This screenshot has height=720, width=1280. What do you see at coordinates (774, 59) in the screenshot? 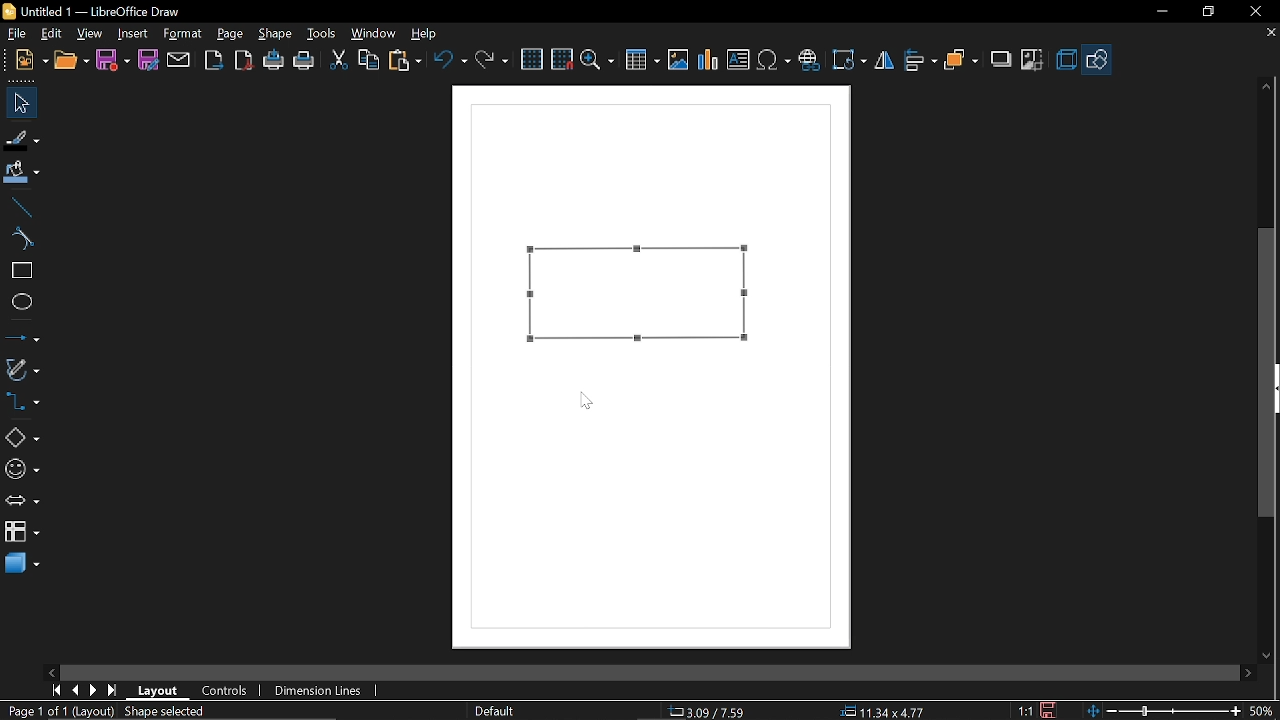
I see `insert symbol` at bounding box center [774, 59].